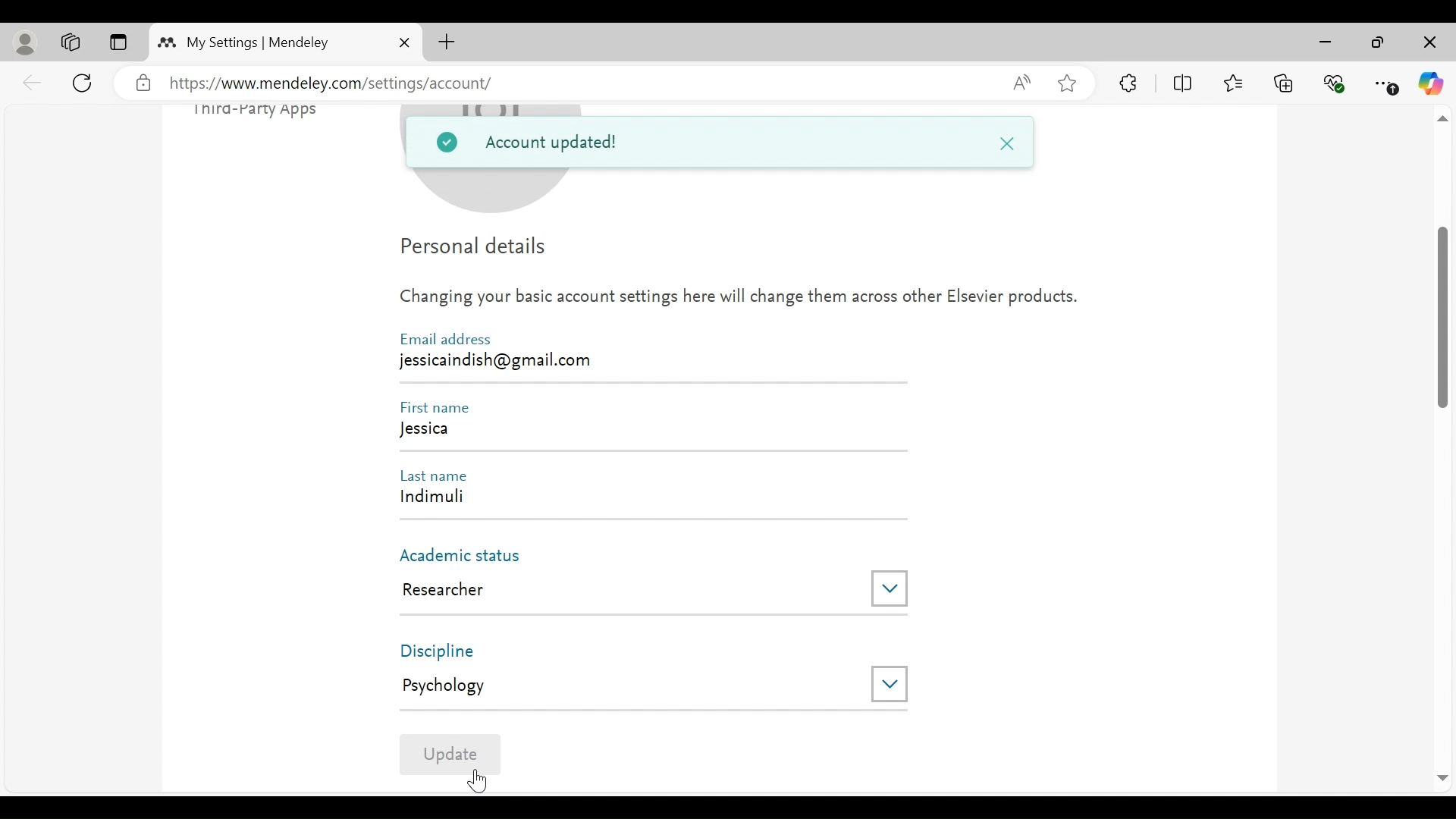 Image resolution: width=1456 pixels, height=819 pixels. I want to click on Jessica, so click(650, 432).